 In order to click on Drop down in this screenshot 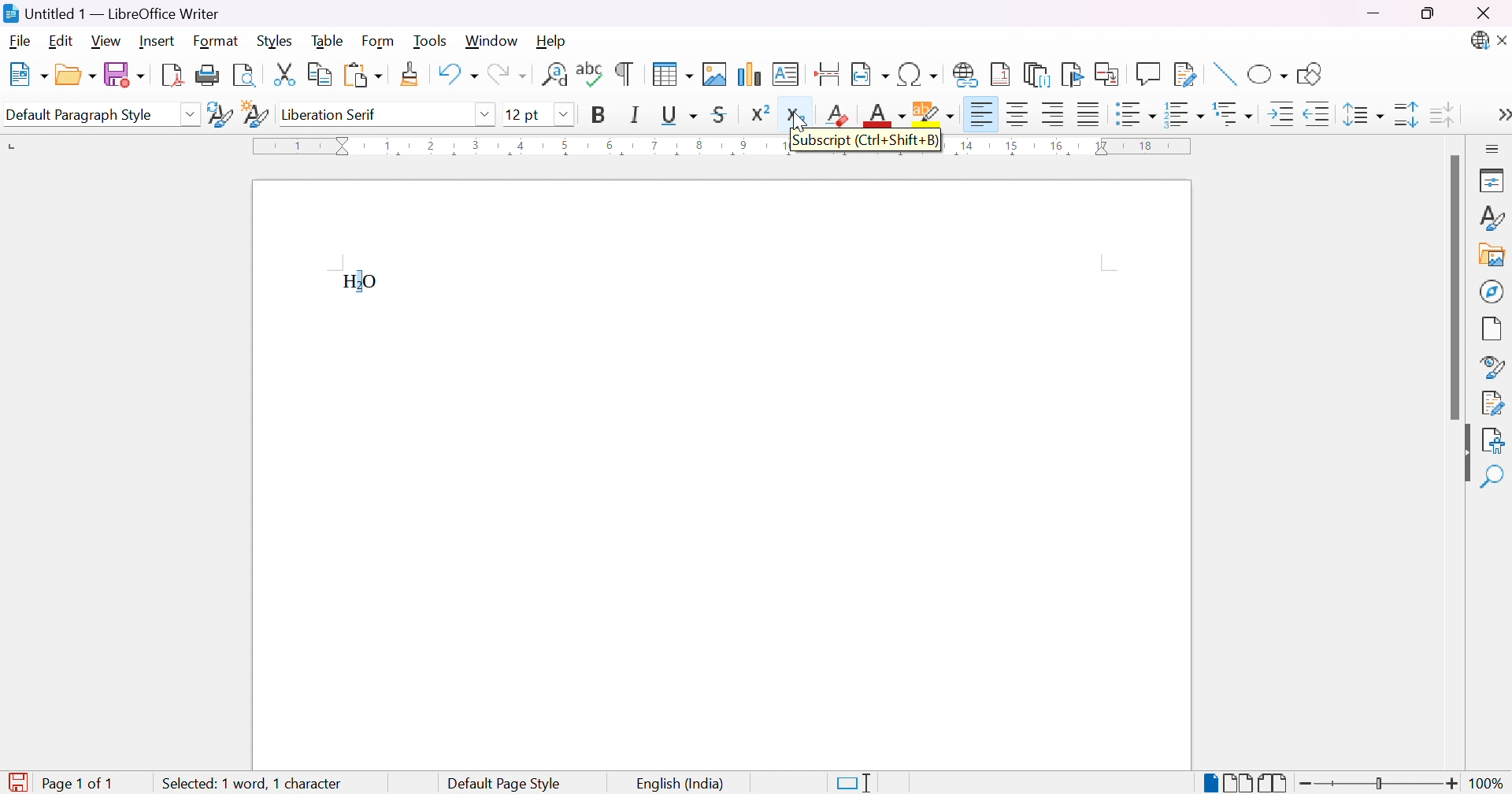, I will do `click(565, 115)`.